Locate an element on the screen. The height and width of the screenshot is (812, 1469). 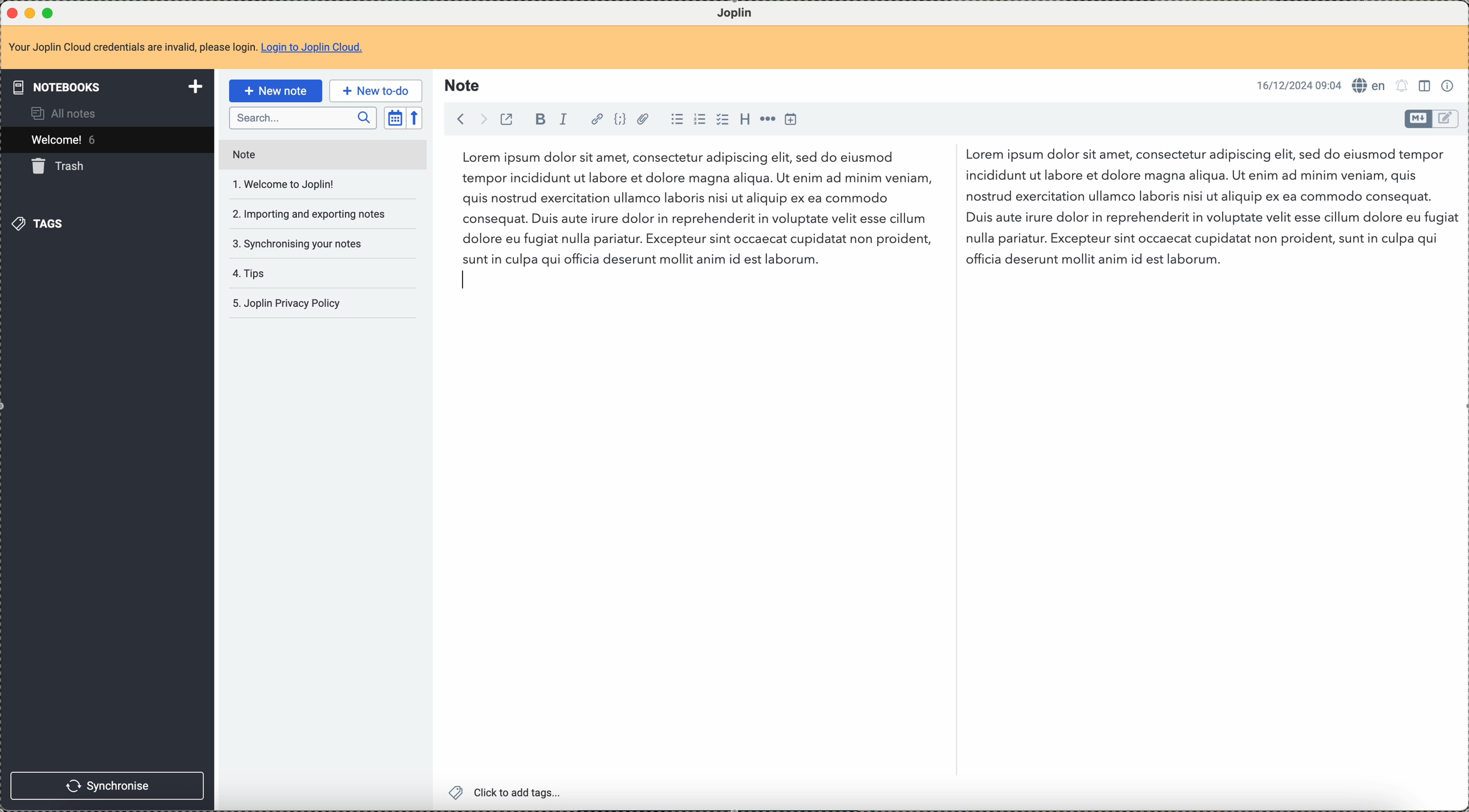
back is located at coordinates (458, 119).